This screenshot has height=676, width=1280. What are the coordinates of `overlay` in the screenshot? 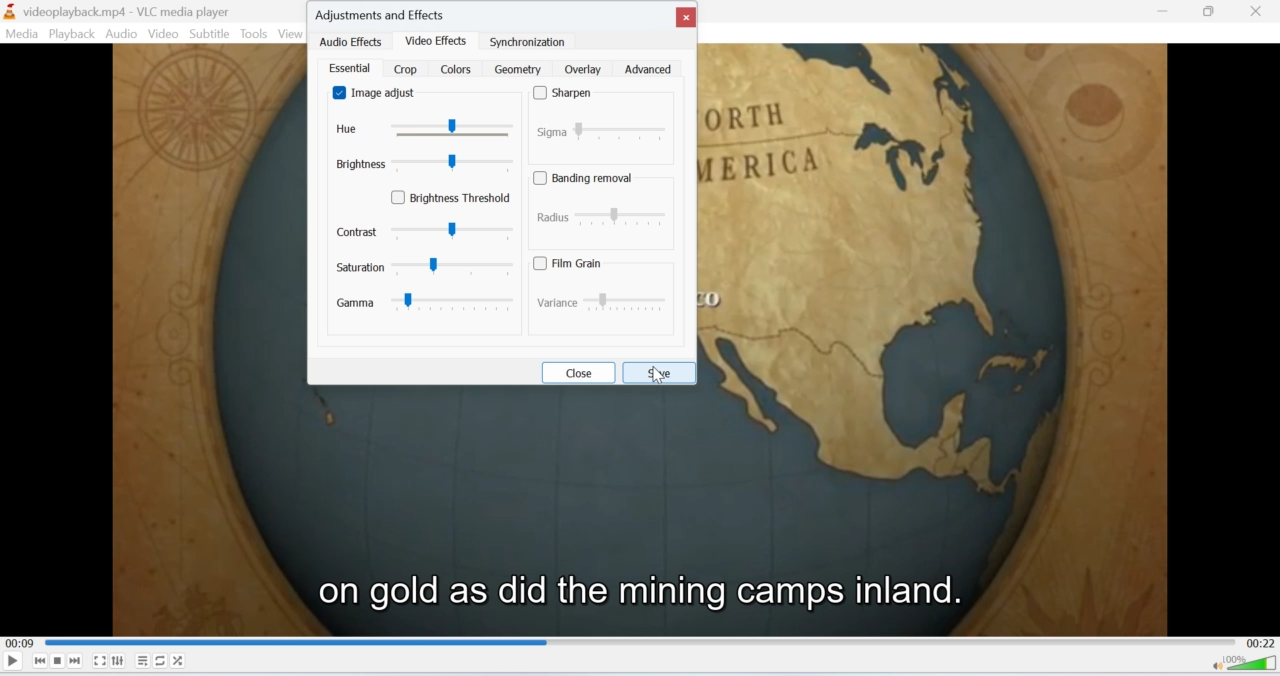 It's located at (582, 70).